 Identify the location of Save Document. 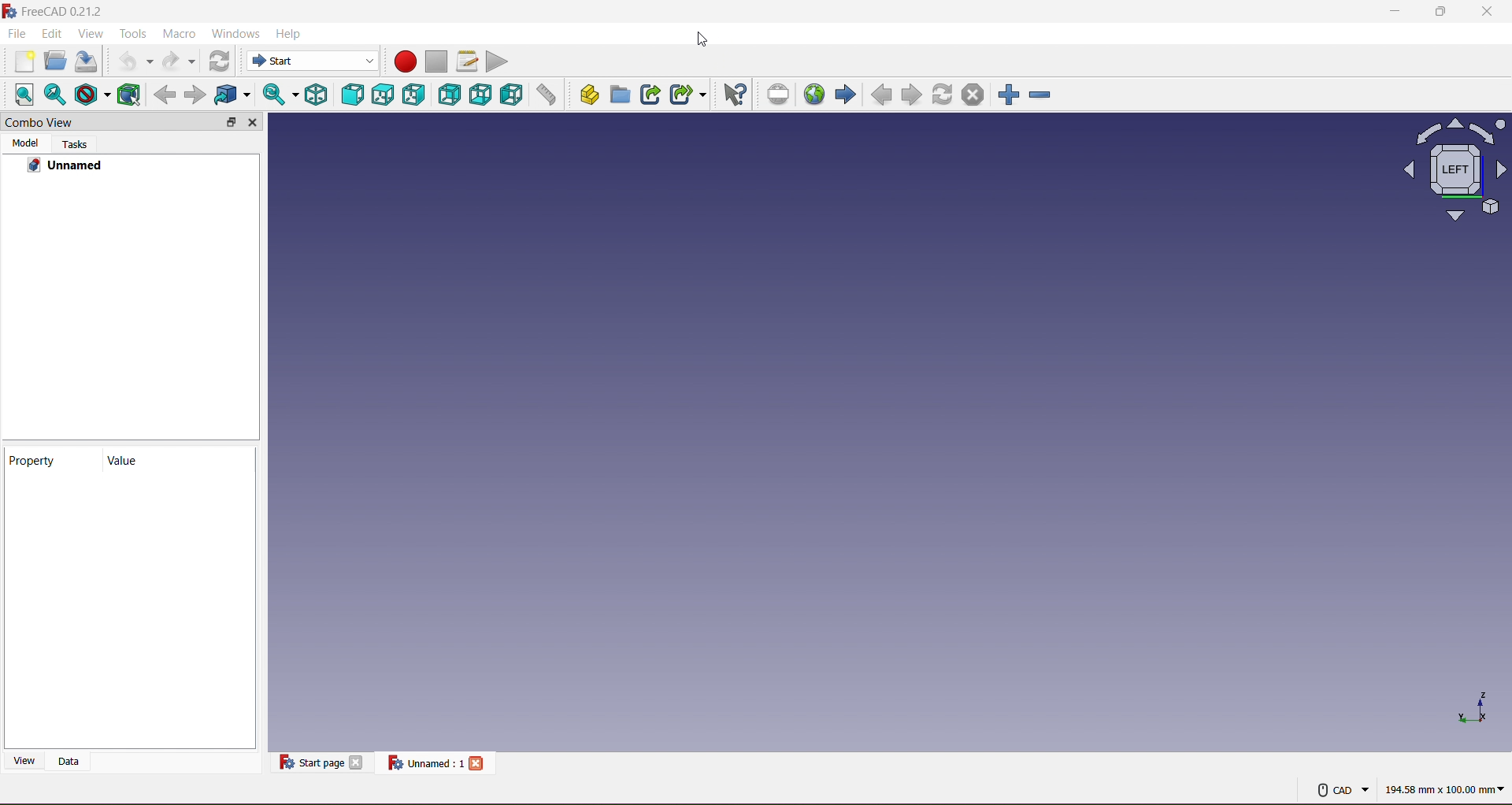
(87, 62).